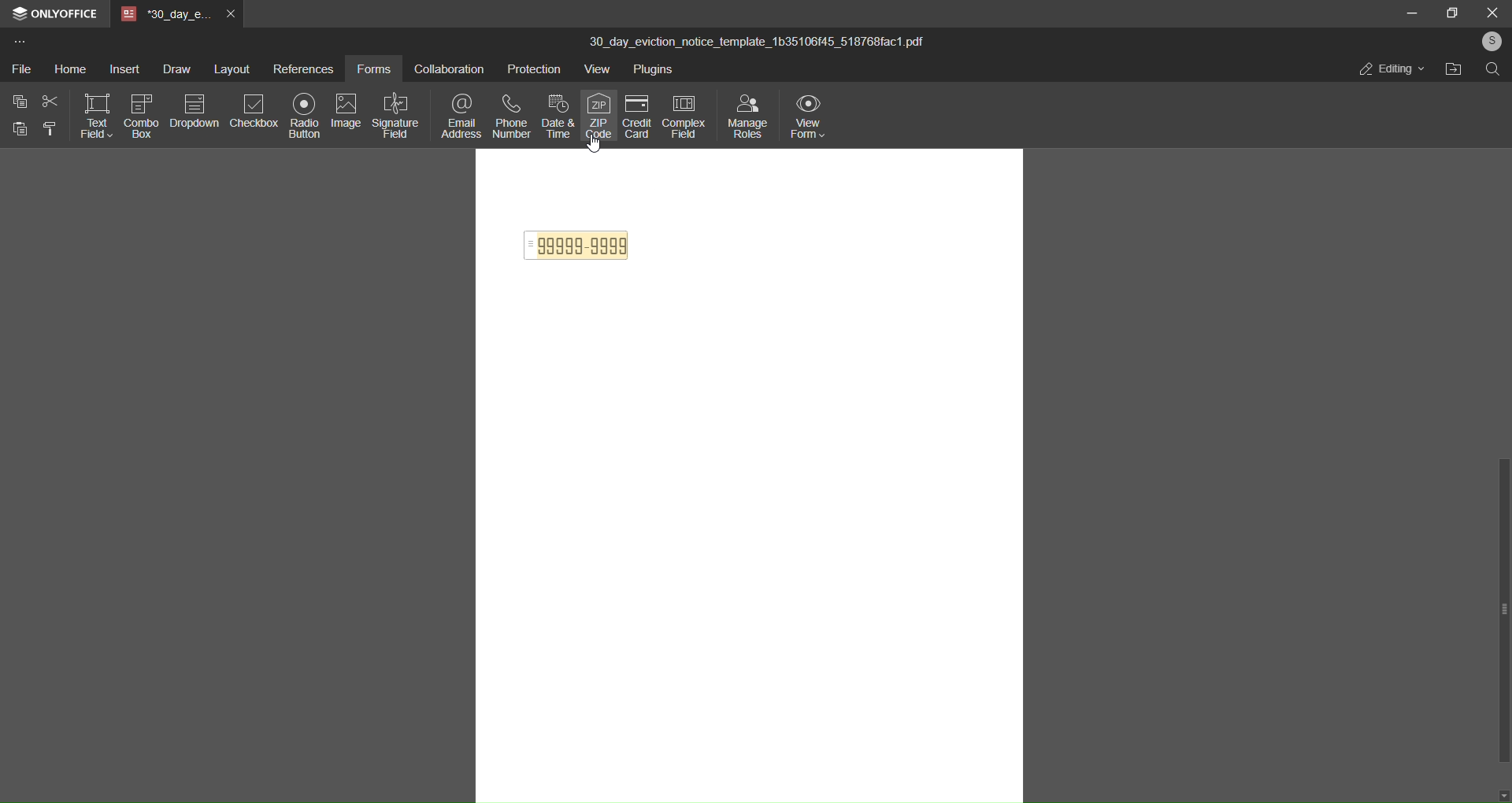 The height and width of the screenshot is (803, 1512). Describe the element at coordinates (48, 102) in the screenshot. I see `cut` at that location.